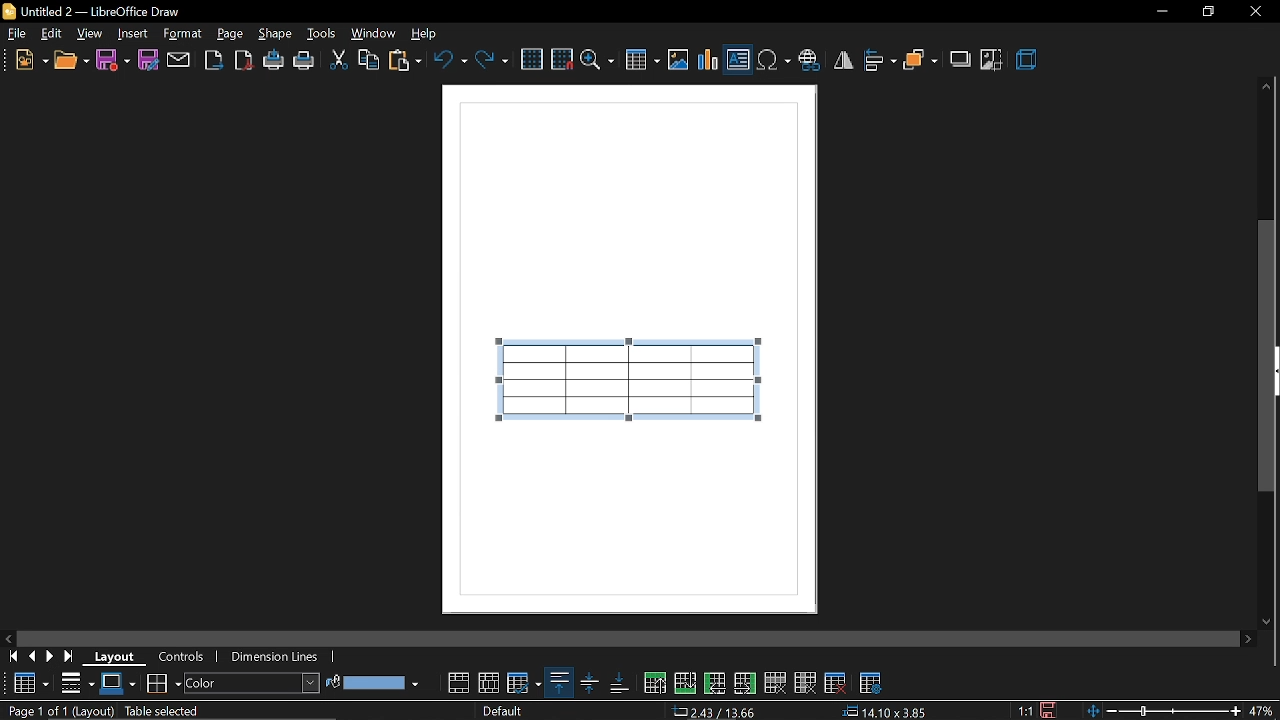 The height and width of the screenshot is (720, 1280). Describe the element at coordinates (89, 33) in the screenshot. I see `view` at that location.